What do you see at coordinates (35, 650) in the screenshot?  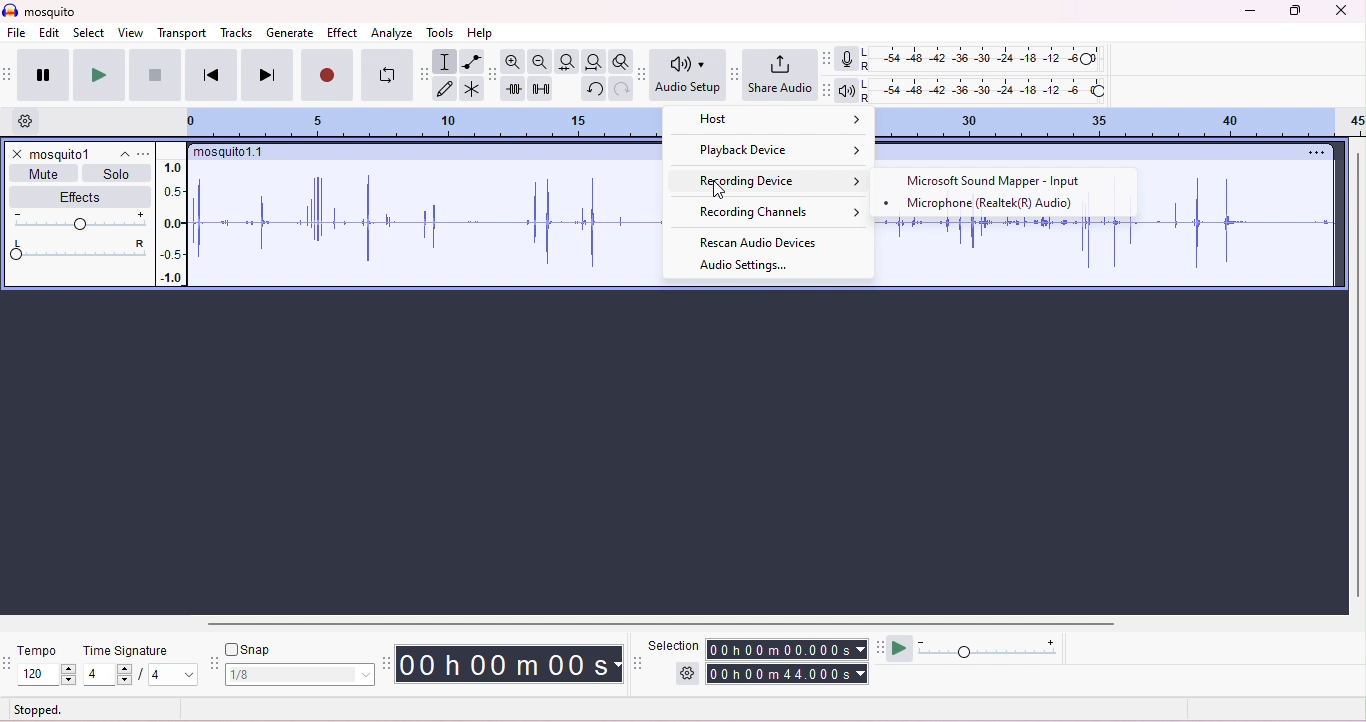 I see `tempo` at bounding box center [35, 650].